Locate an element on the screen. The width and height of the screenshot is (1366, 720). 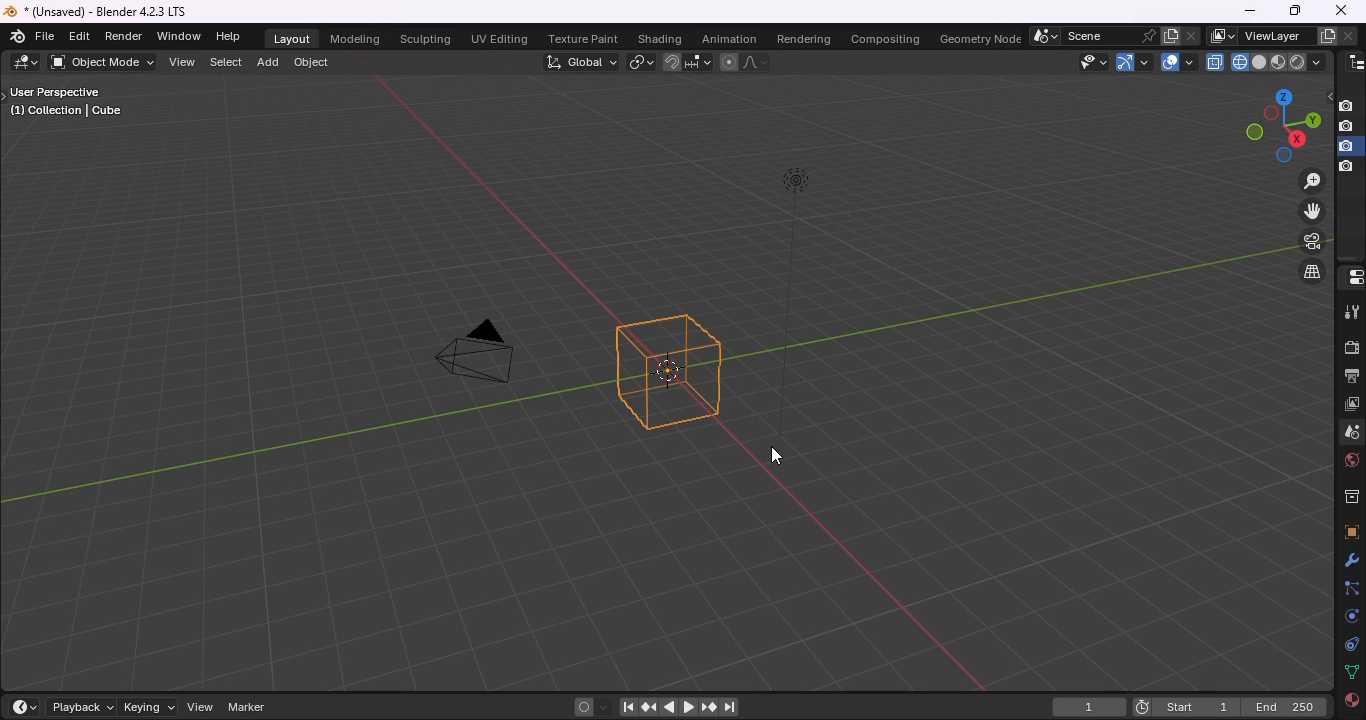
scene is located at coordinates (1094, 36).